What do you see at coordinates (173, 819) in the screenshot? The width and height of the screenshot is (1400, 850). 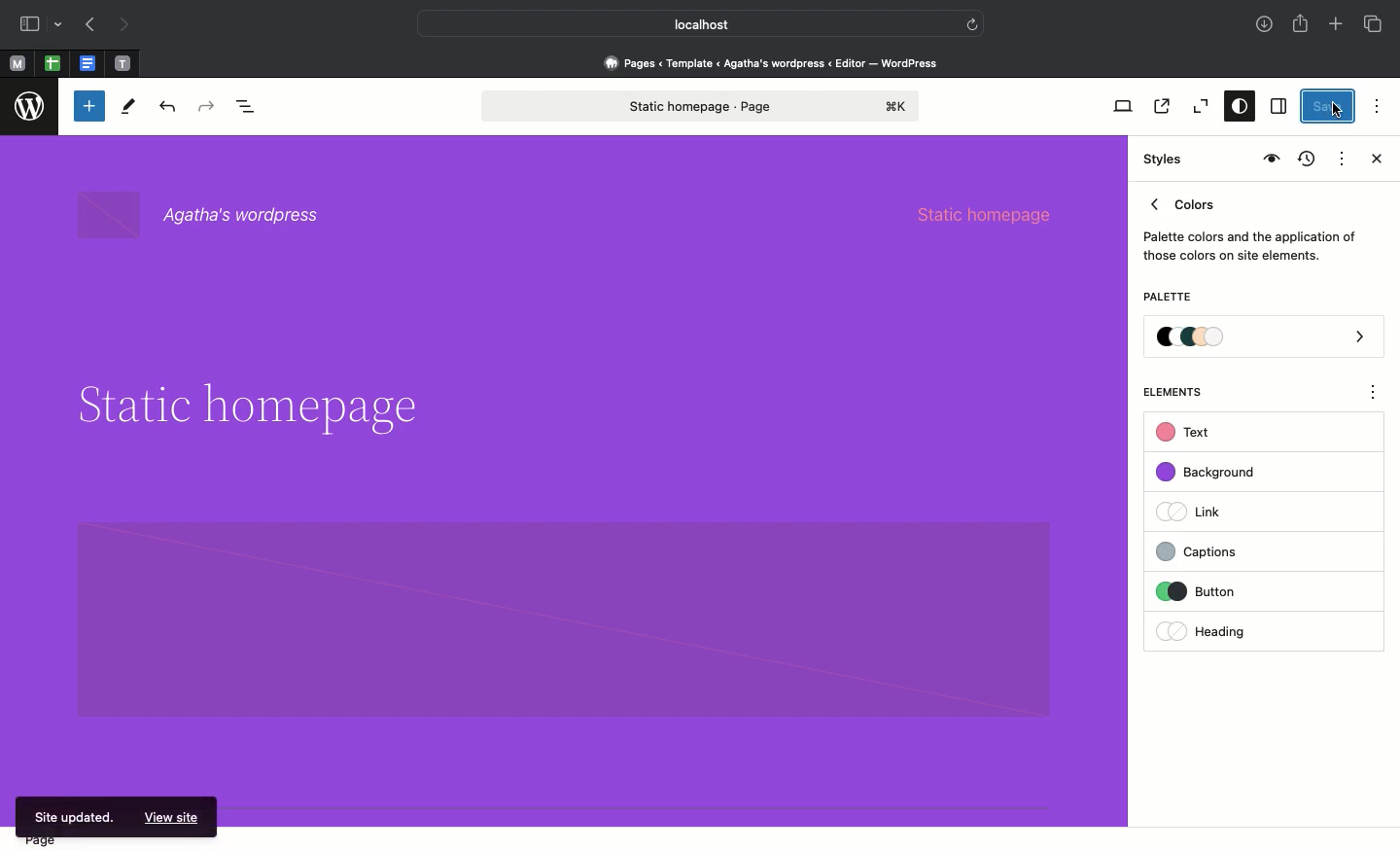 I see `` at bounding box center [173, 819].